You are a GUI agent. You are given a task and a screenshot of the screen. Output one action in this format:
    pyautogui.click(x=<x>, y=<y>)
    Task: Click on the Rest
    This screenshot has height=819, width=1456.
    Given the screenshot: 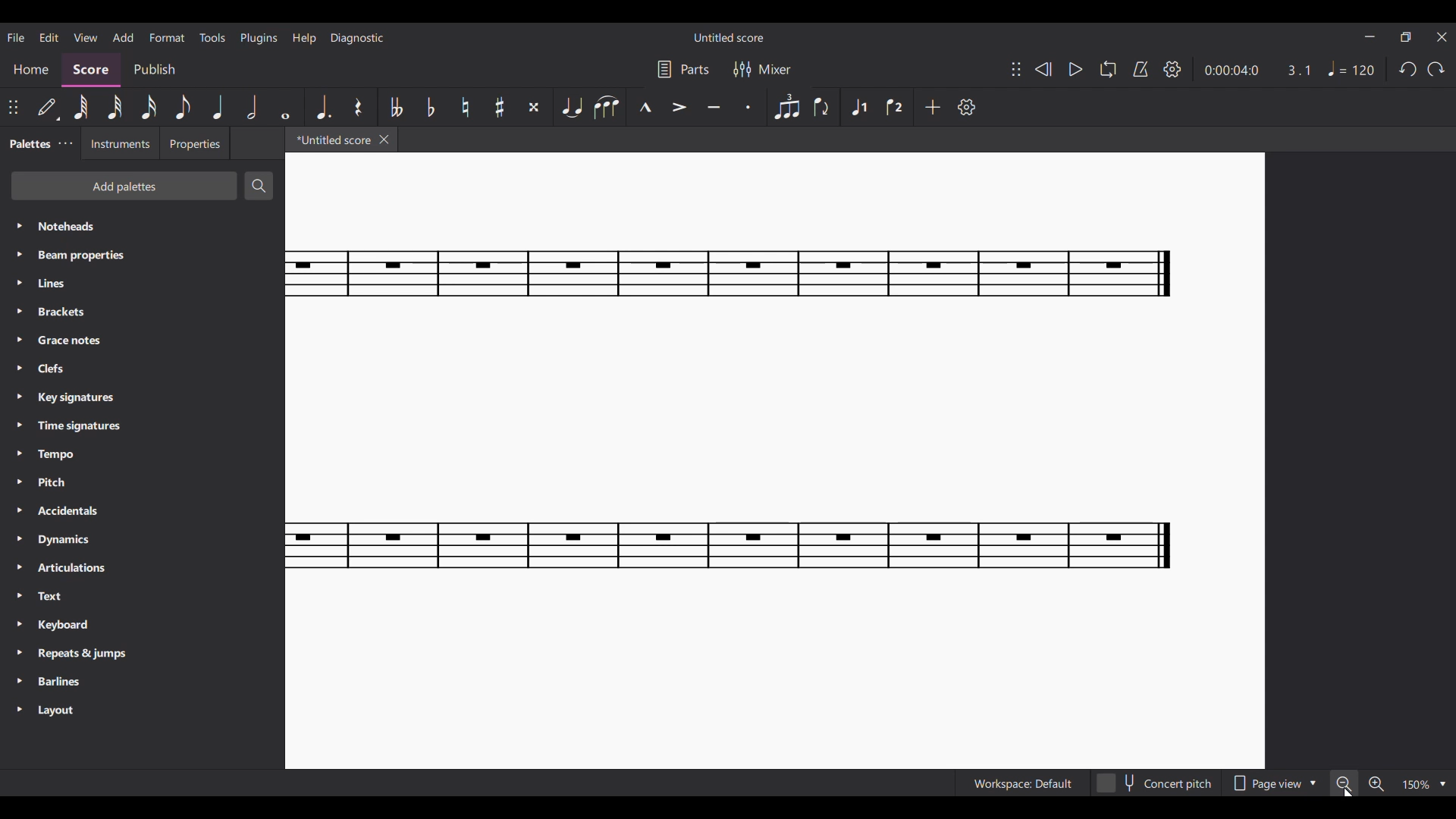 What is the action you would take?
    pyautogui.click(x=358, y=107)
    